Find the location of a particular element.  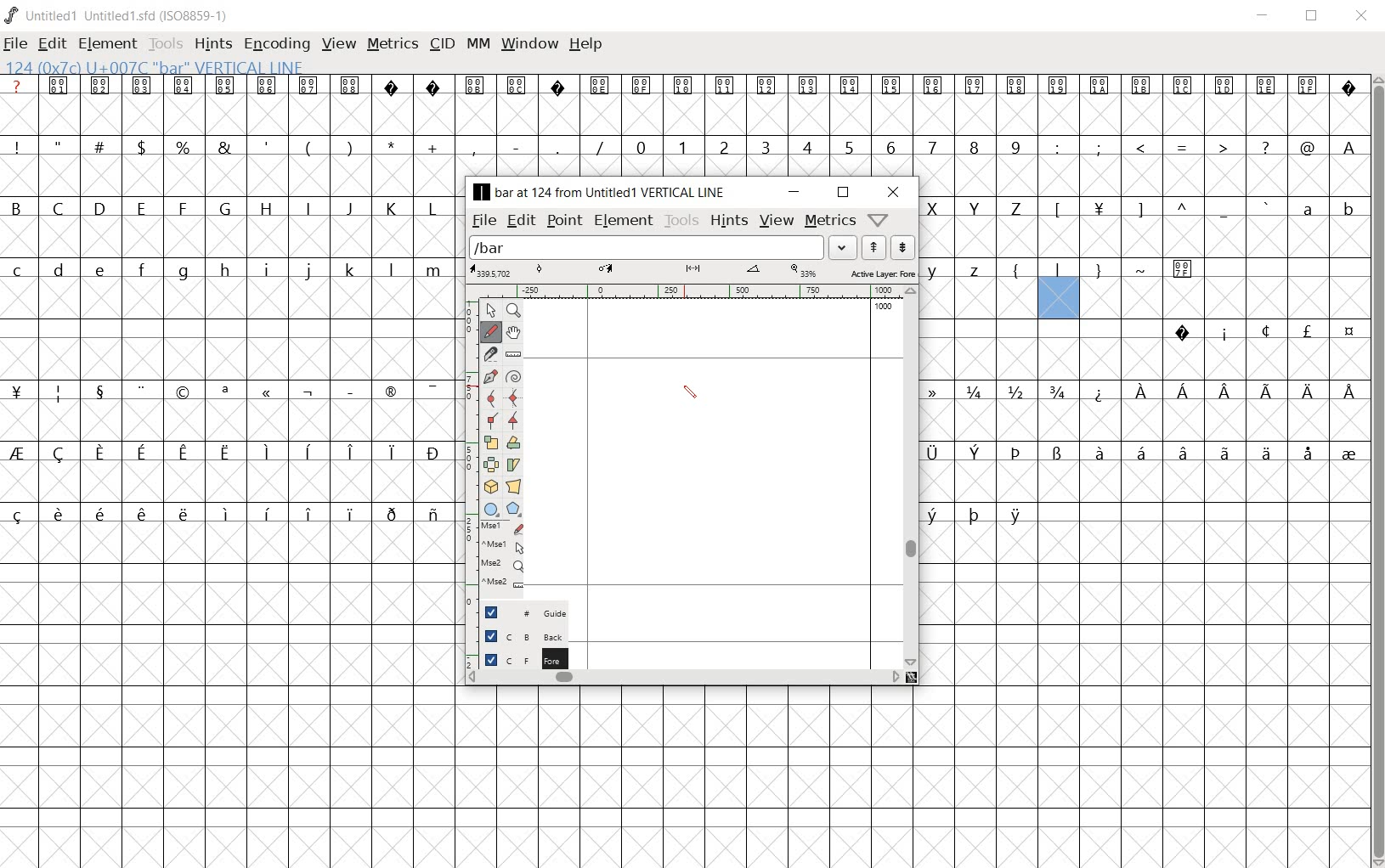

add a curve point always either horizontal or vertical is located at coordinates (512, 397).